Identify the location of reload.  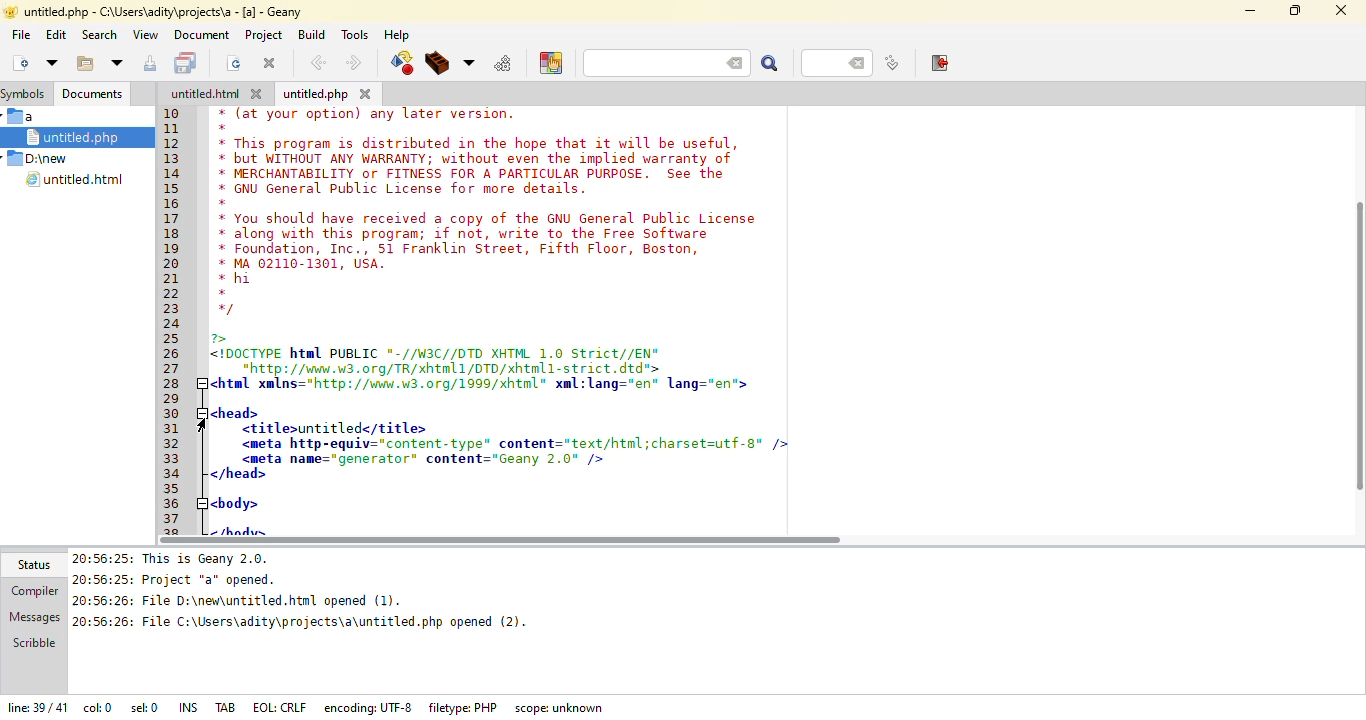
(232, 63).